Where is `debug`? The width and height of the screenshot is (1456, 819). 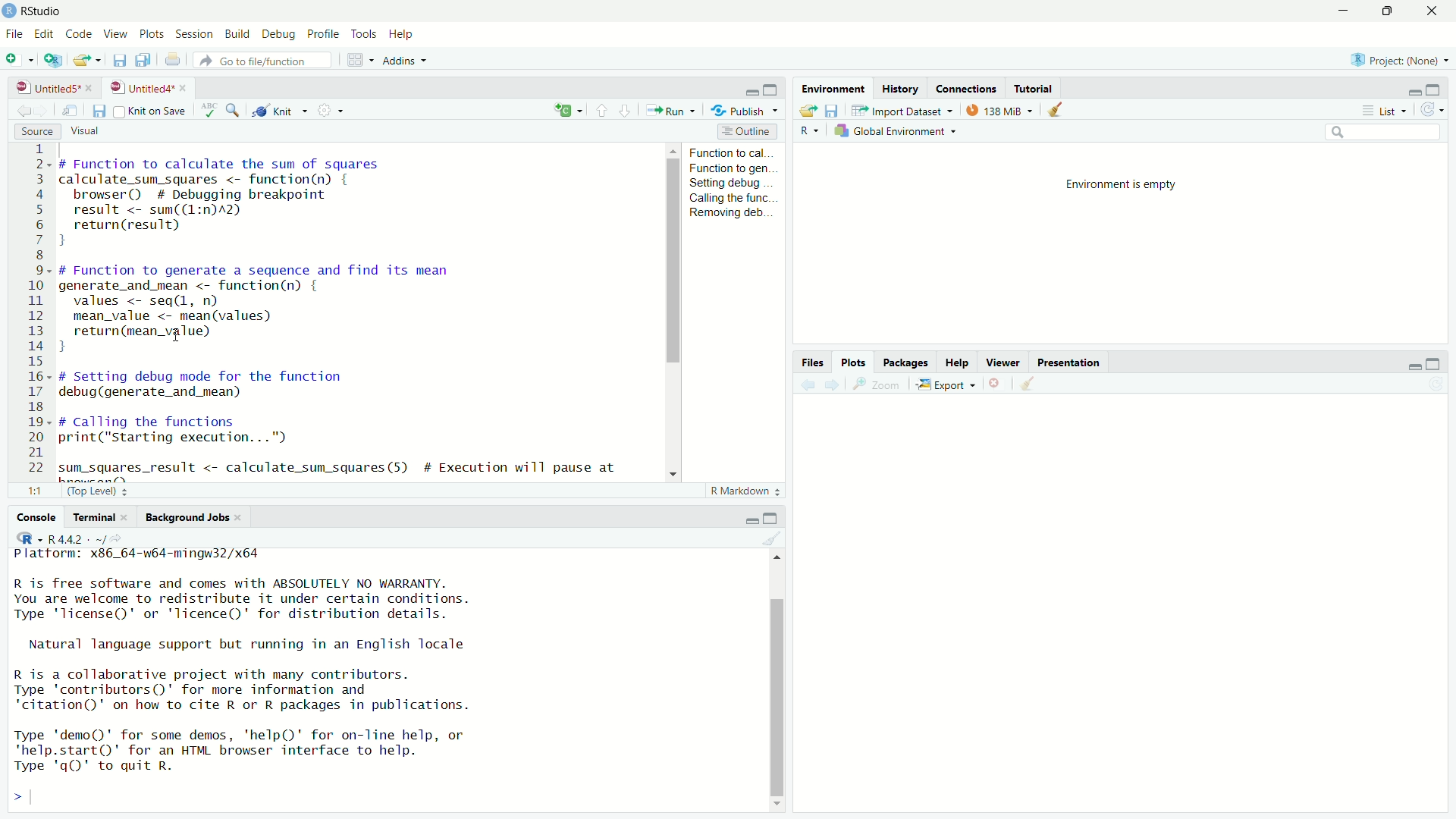
debug is located at coordinates (278, 34).